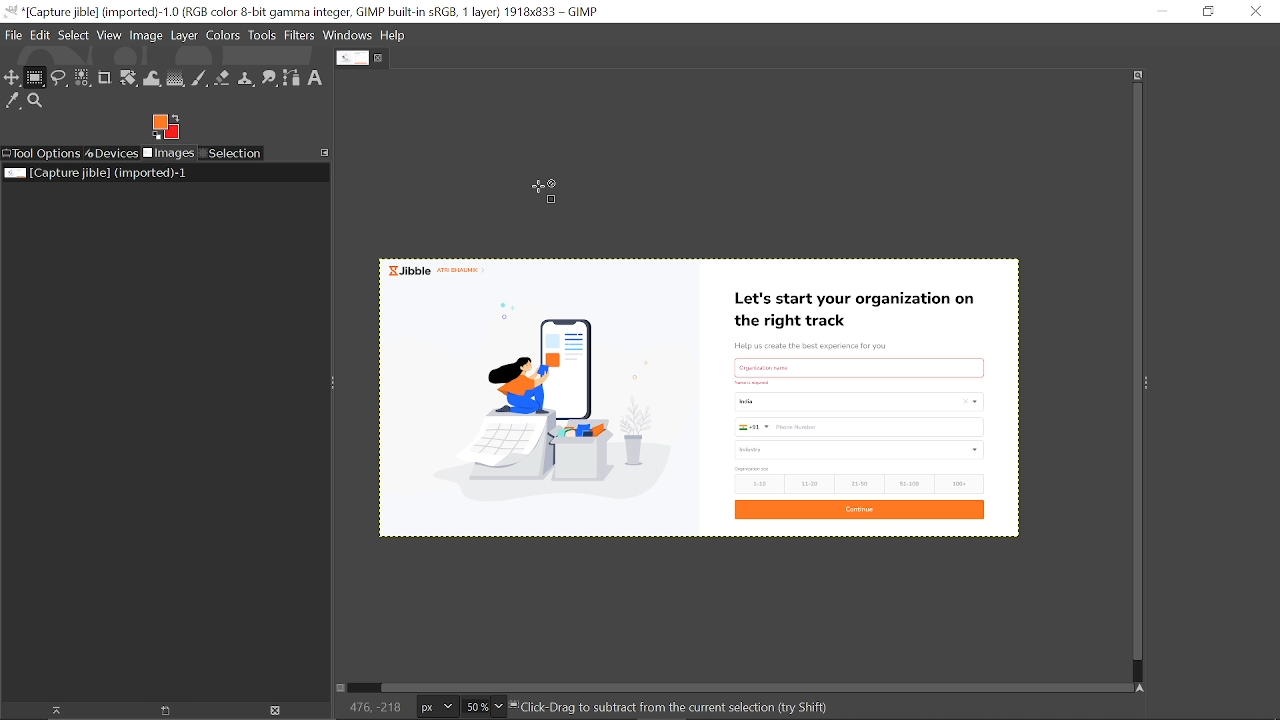 This screenshot has height=720, width=1280. What do you see at coordinates (110, 35) in the screenshot?
I see `View` at bounding box center [110, 35].